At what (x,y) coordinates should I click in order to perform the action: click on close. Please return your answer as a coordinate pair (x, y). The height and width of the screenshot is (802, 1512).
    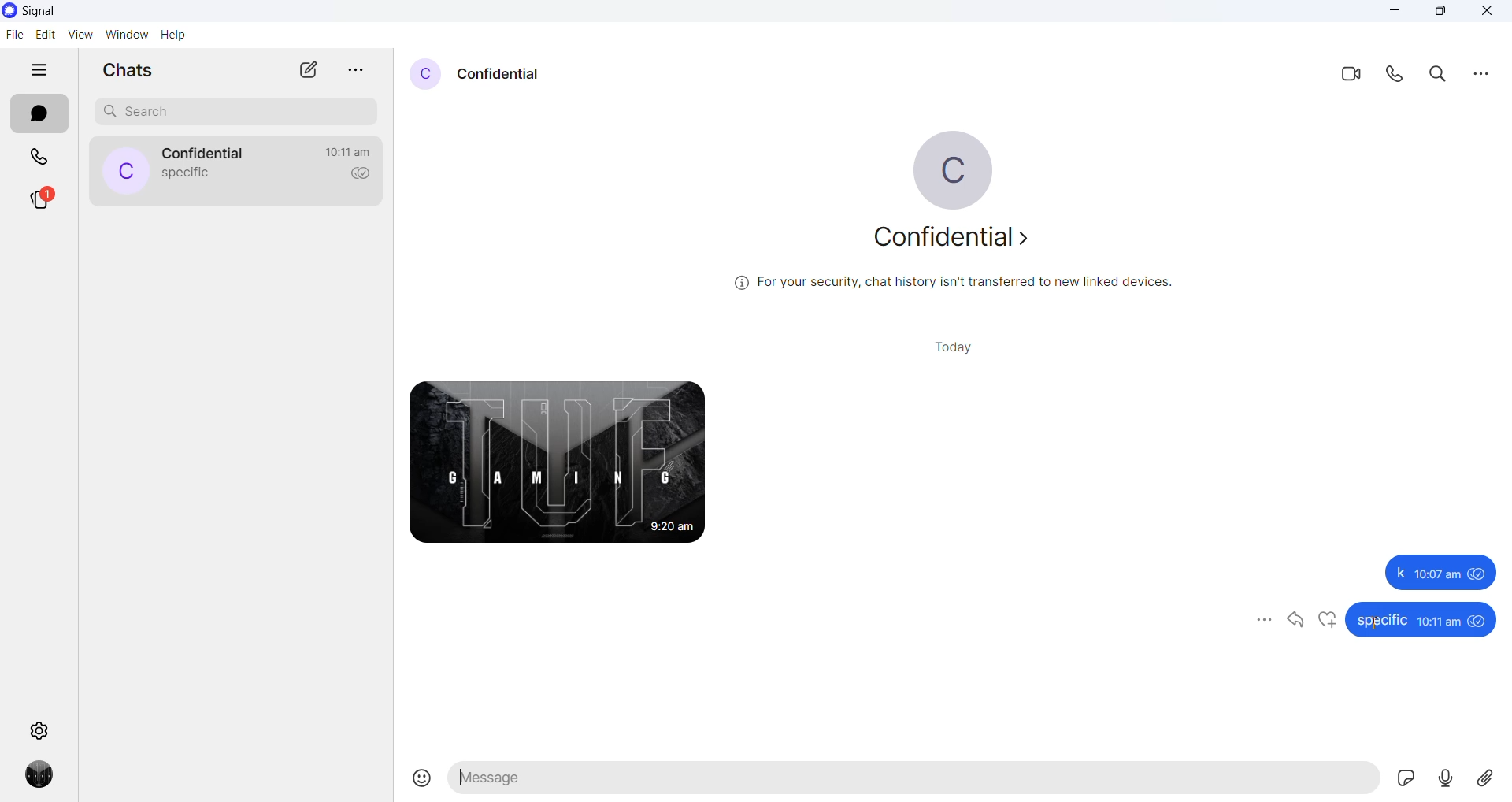
    Looking at the image, I should click on (1492, 13).